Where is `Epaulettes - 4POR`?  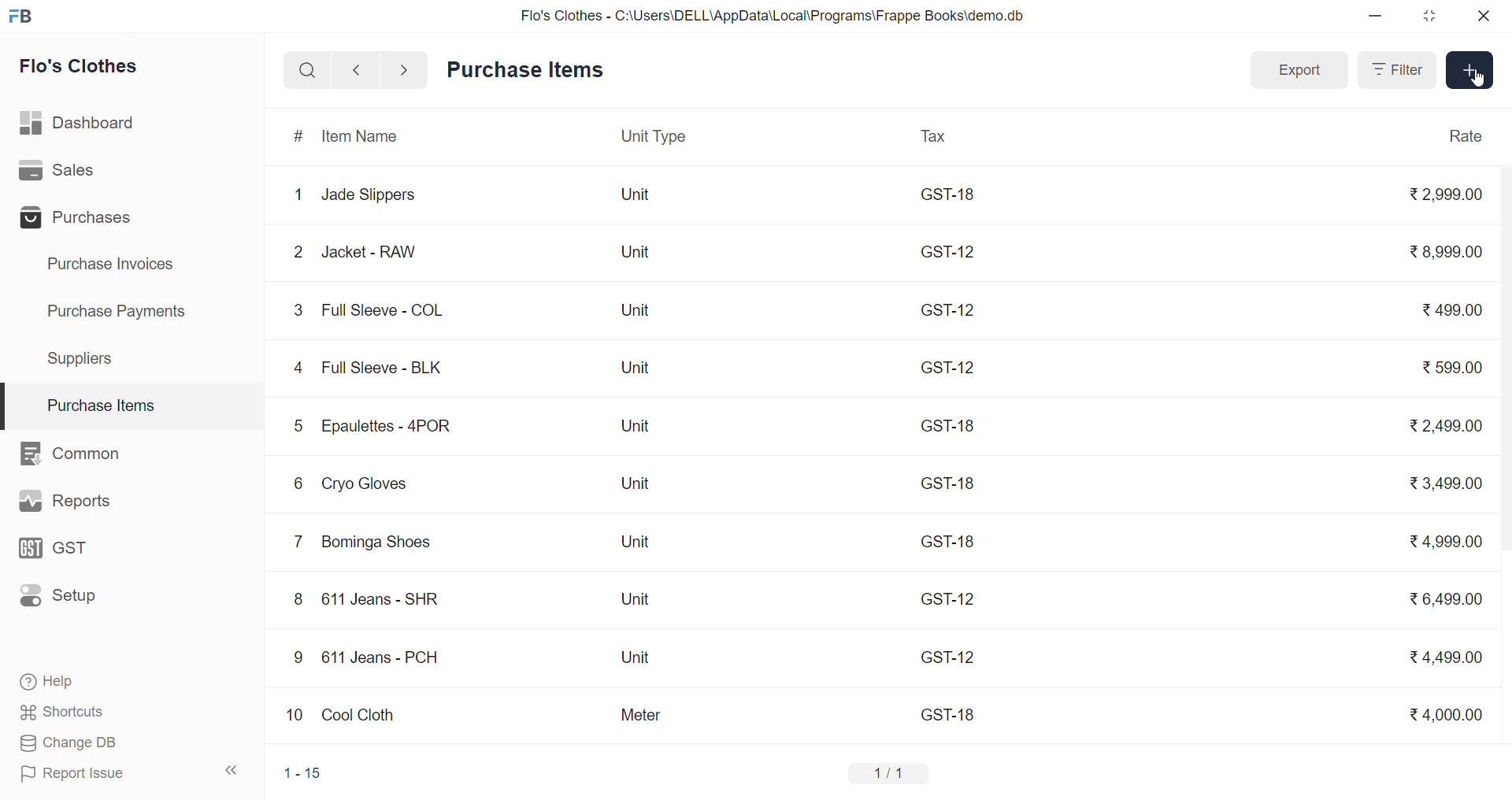 Epaulettes - 4POR is located at coordinates (388, 427).